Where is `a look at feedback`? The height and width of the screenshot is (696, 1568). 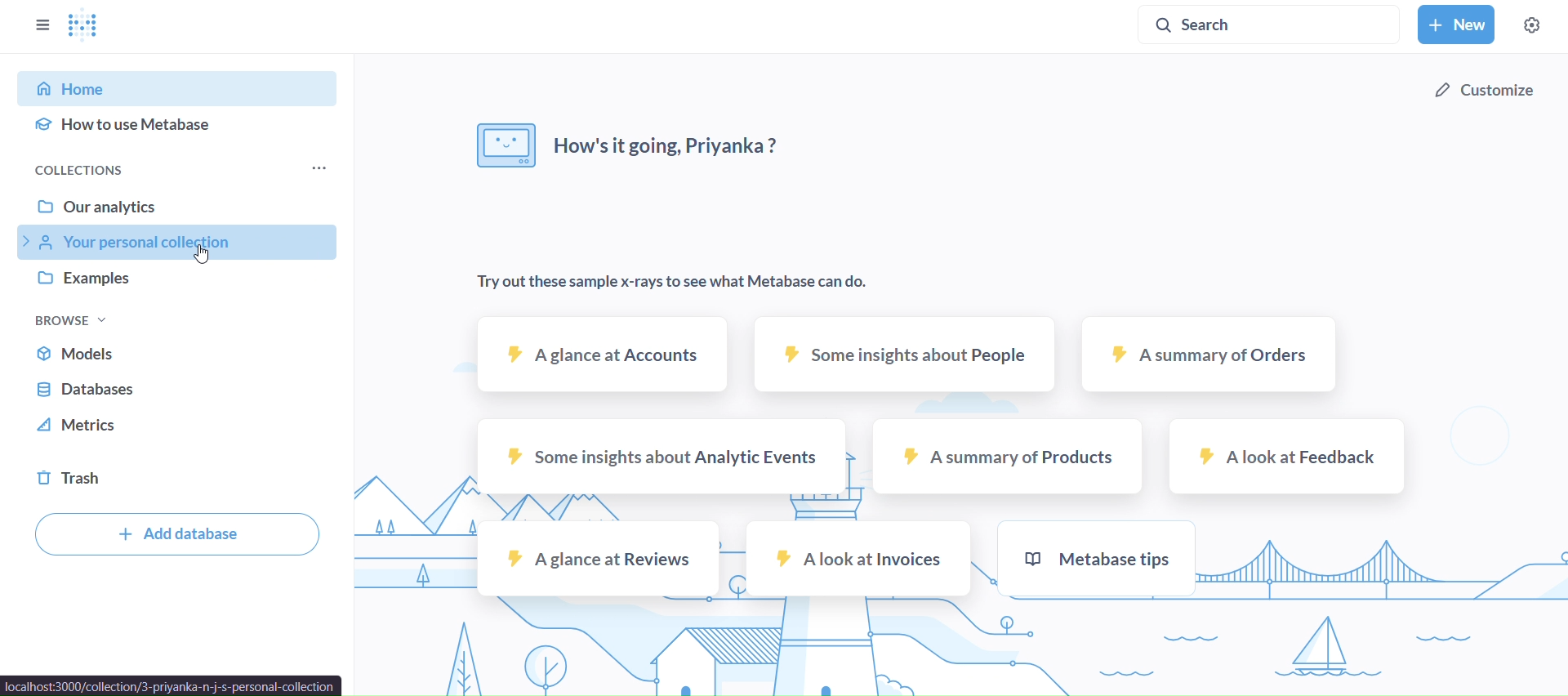 a look at feedback is located at coordinates (1287, 456).